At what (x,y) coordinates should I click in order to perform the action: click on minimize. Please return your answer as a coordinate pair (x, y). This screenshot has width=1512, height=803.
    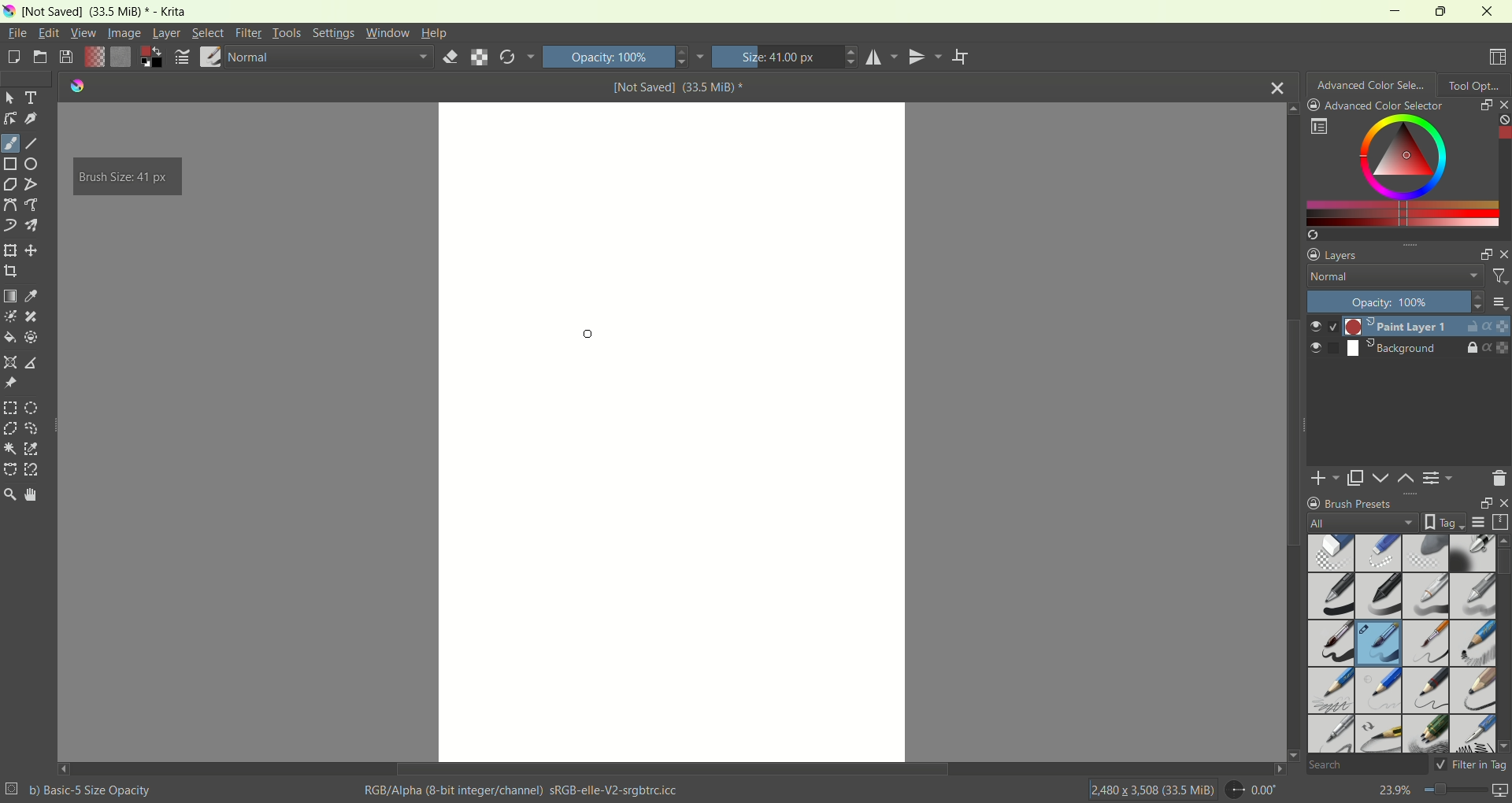
    Looking at the image, I should click on (1388, 10).